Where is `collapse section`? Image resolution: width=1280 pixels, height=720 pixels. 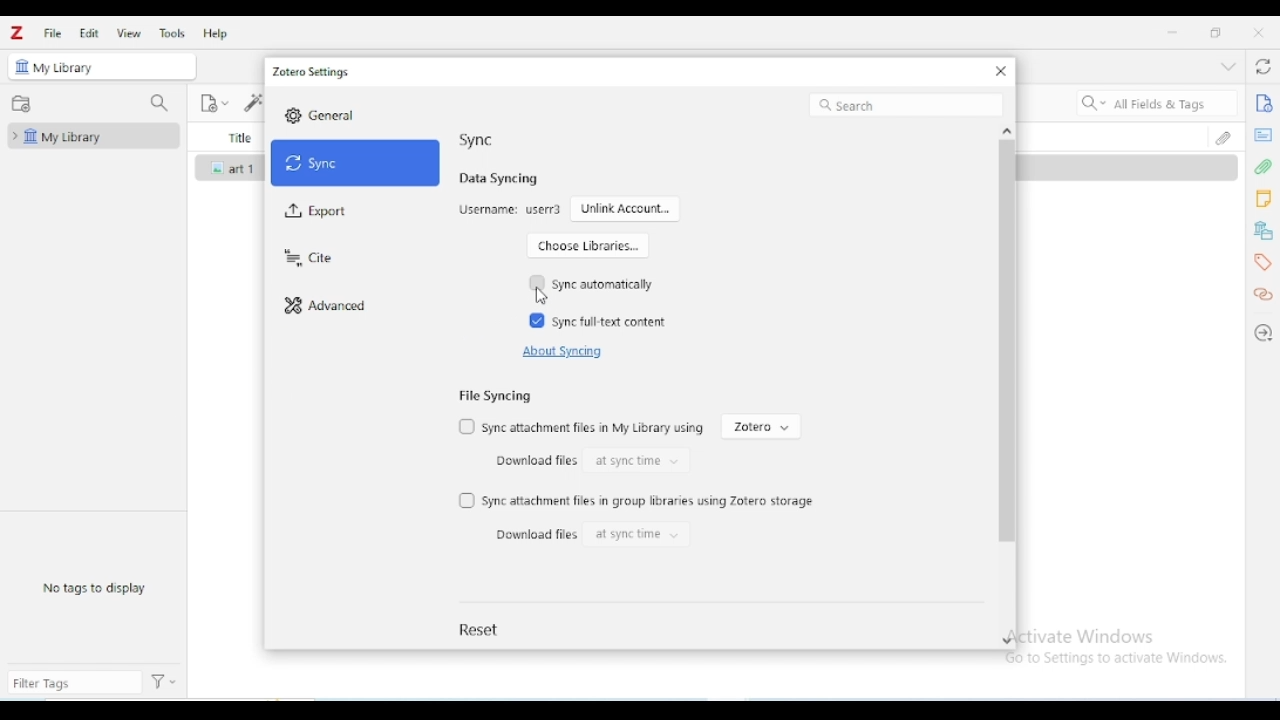
collapse section is located at coordinates (1228, 66).